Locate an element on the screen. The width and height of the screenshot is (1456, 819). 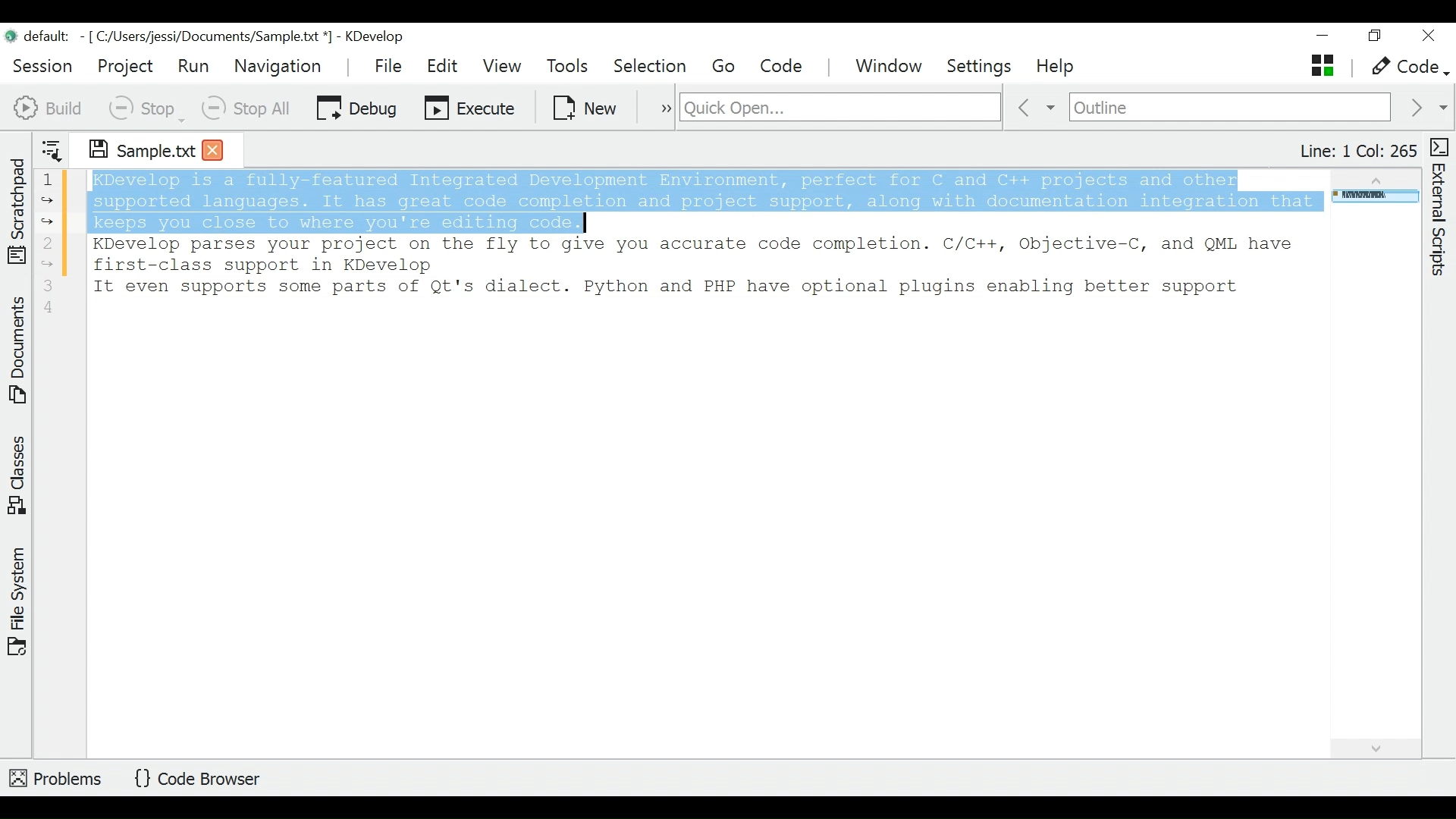
Settings is located at coordinates (984, 67).